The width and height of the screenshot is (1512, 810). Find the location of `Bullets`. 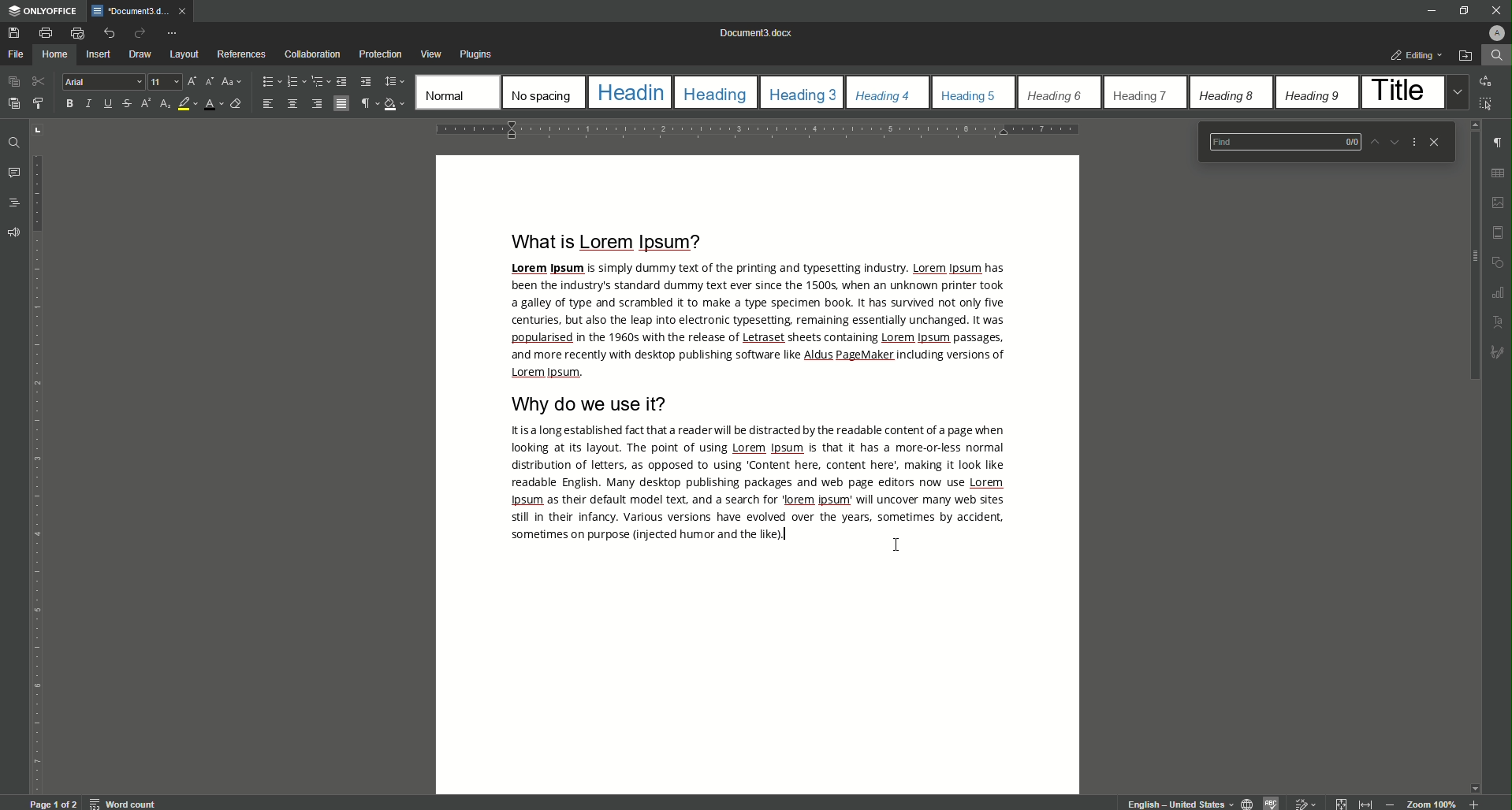

Bullets is located at coordinates (267, 82).